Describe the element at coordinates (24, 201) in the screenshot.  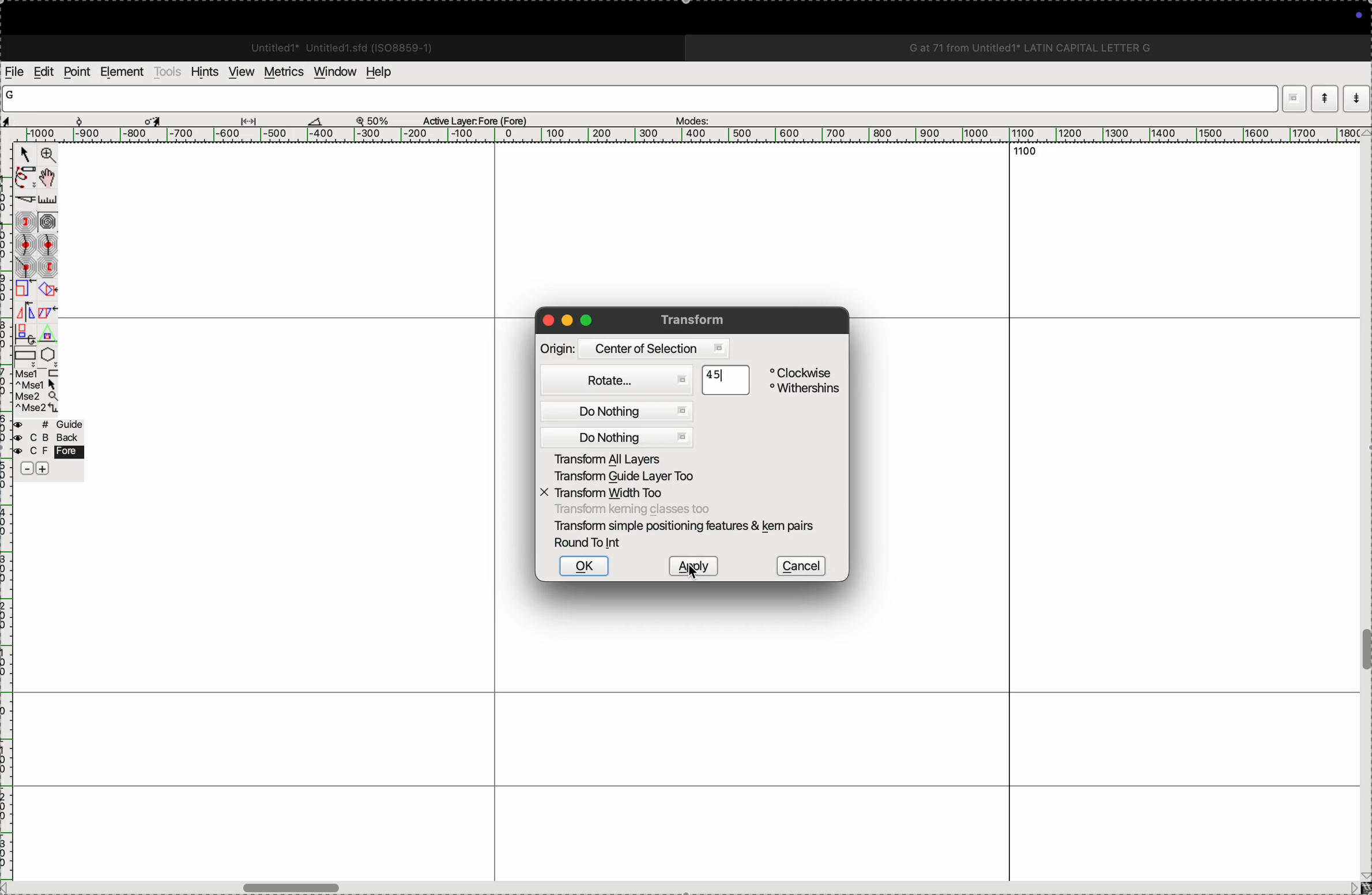
I see `knife` at that location.